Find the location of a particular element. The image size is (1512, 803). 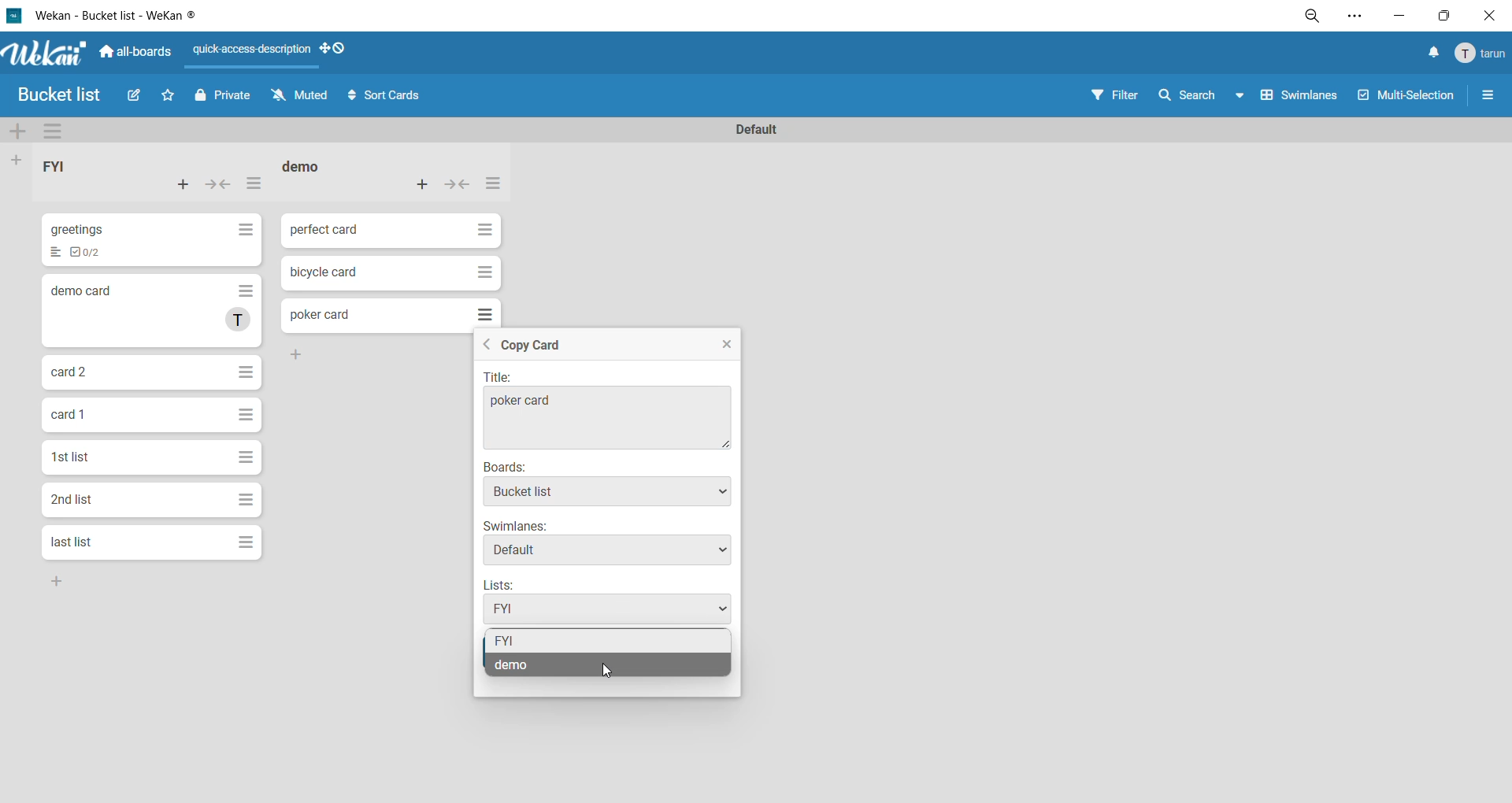

Default is located at coordinates (605, 551).